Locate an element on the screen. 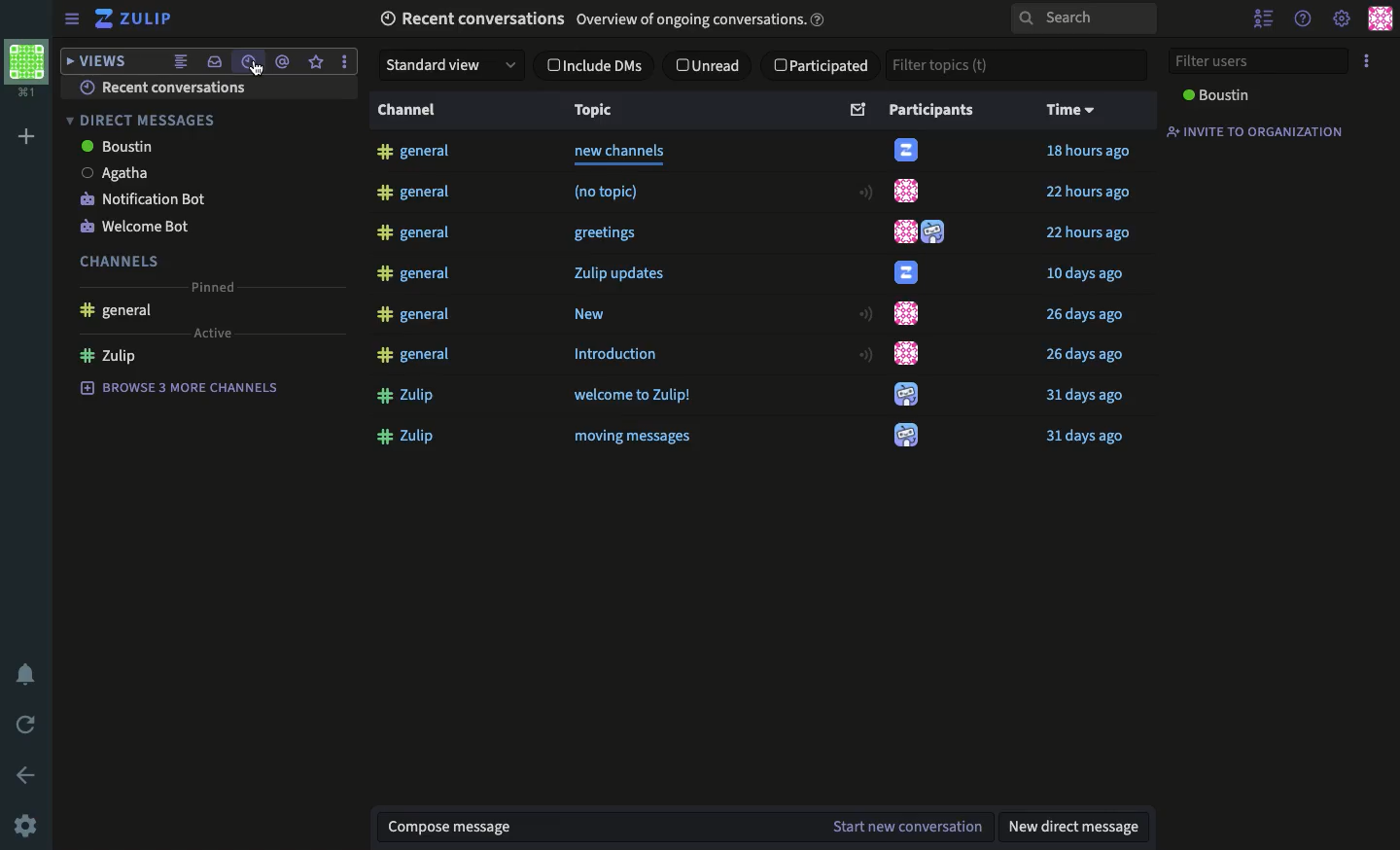 The image size is (1400, 850). Star is located at coordinates (319, 64).